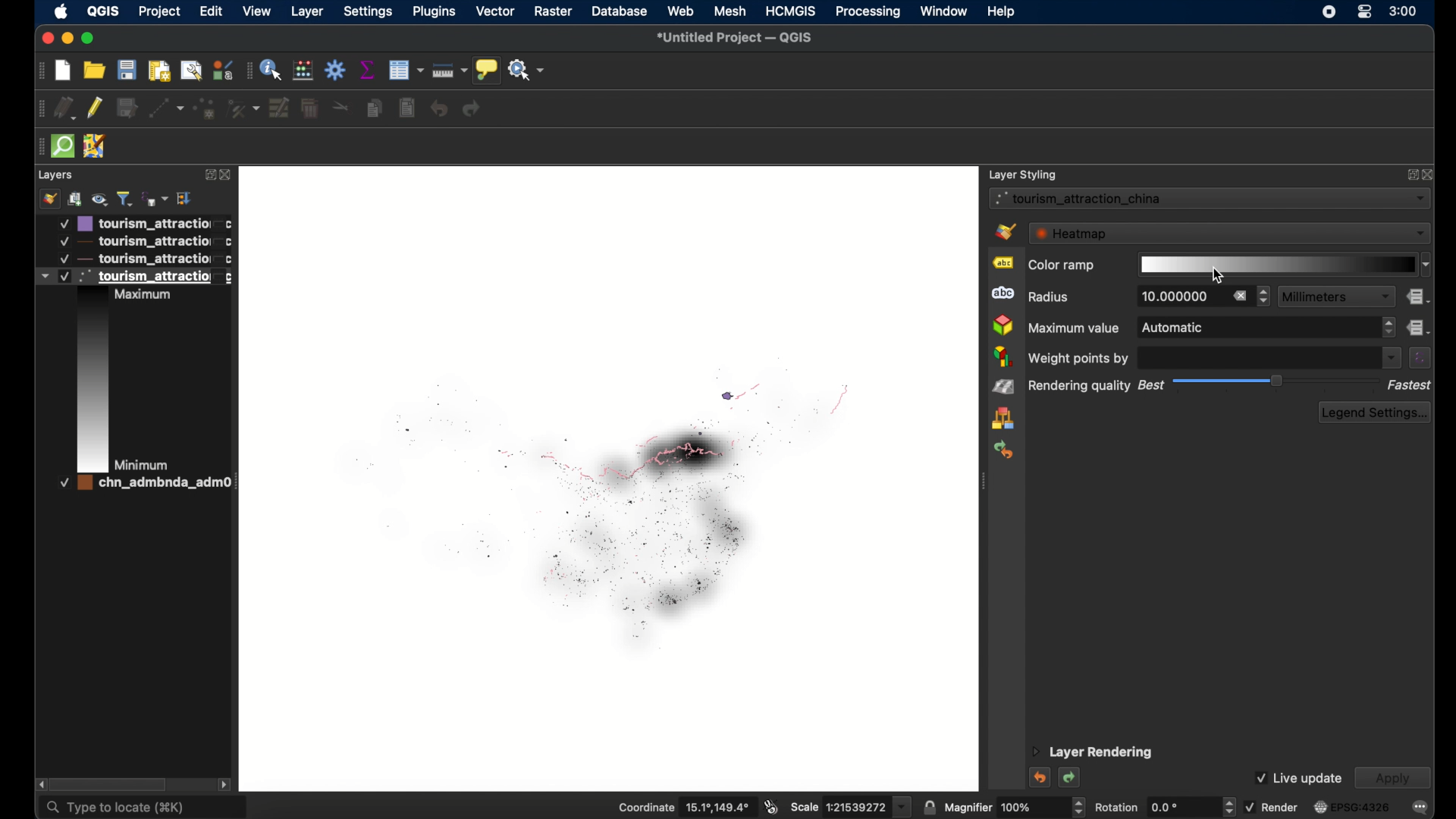 This screenshot has height=819, width=1456. Describe the element at coordinates (943, 11) in the screenshot. I see `window` at that location.